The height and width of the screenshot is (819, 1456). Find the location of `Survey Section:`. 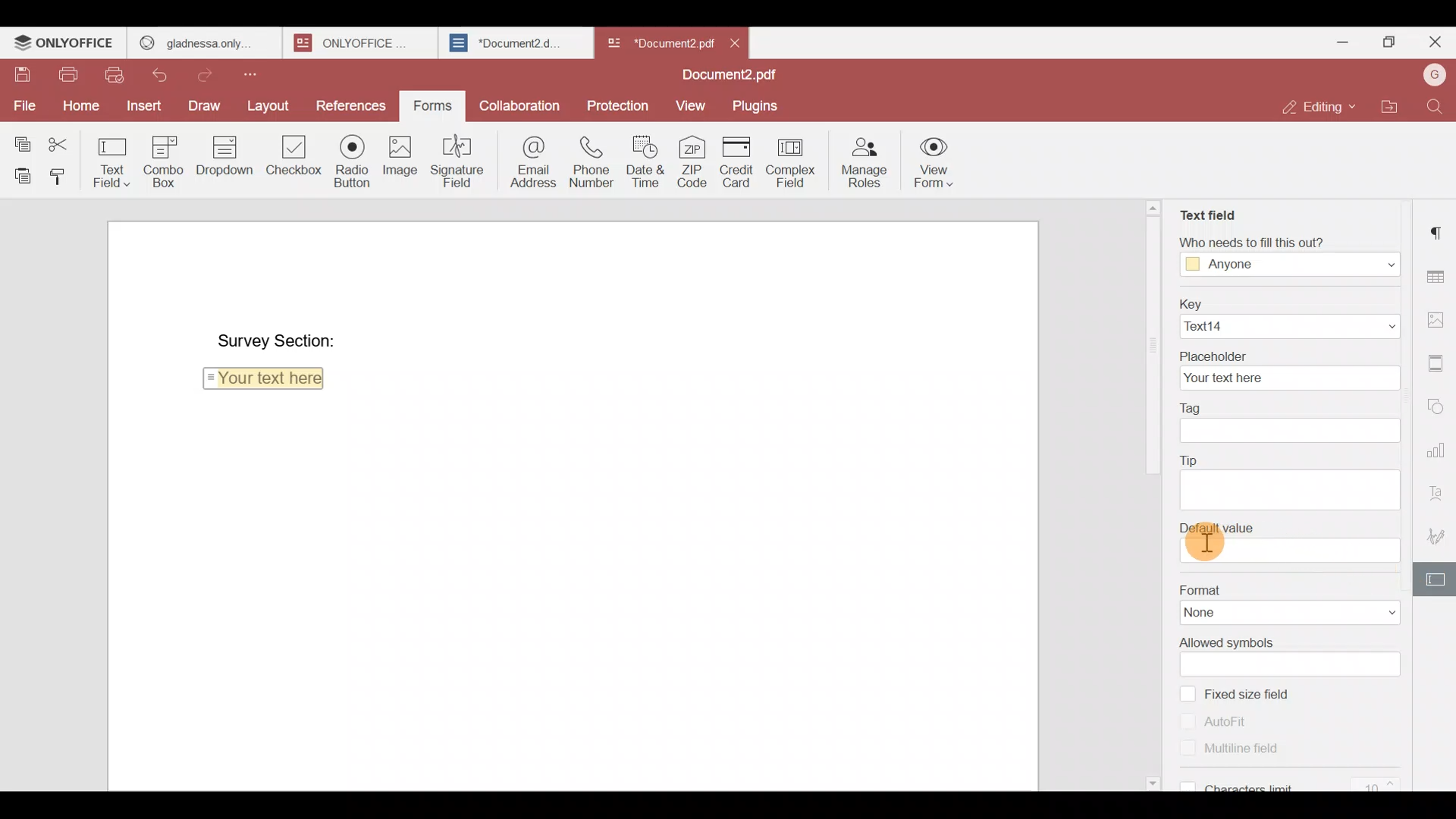

Survey Section: is located at coordinates (277, 334).